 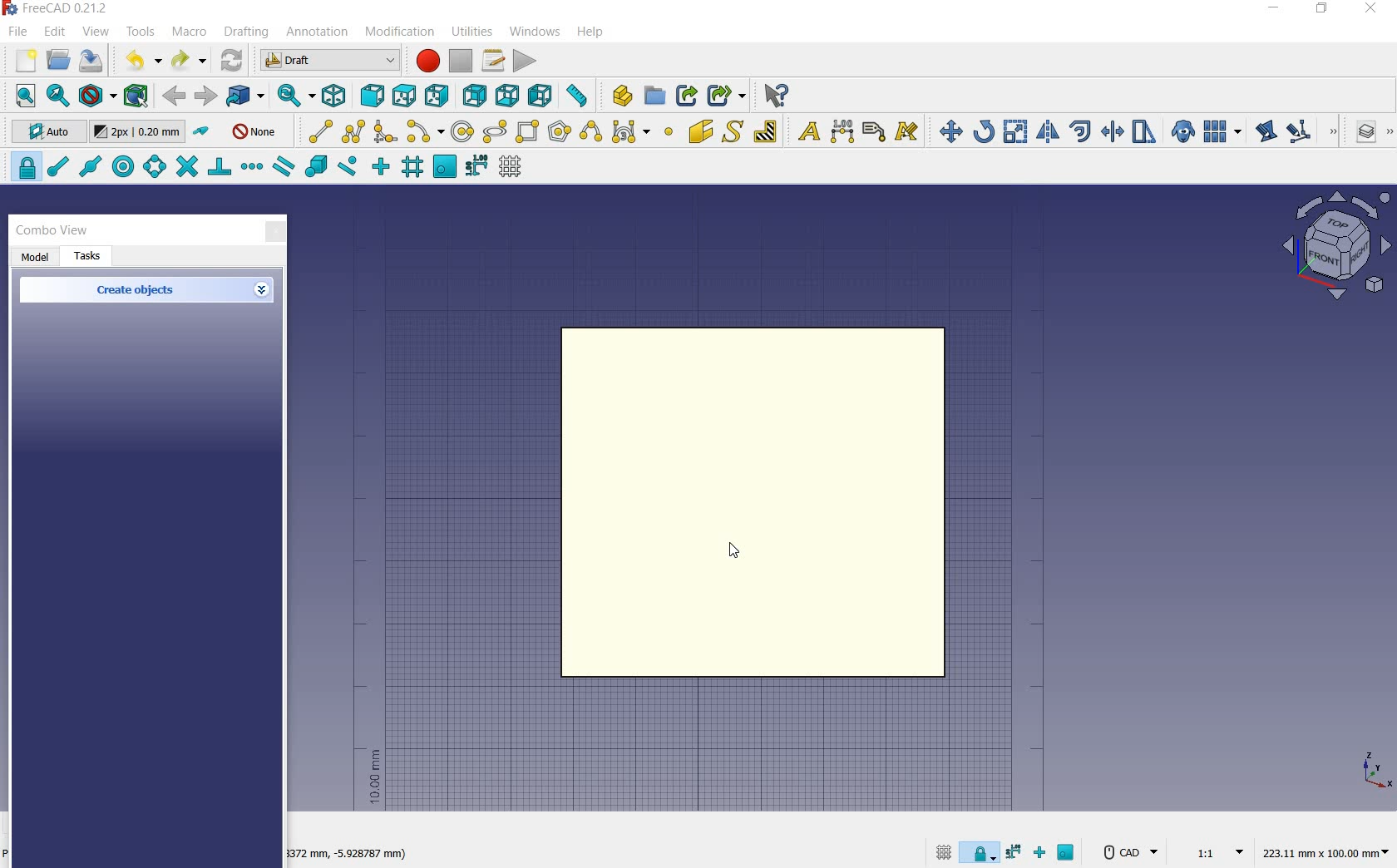 What do you see at coordinates (175, 96) in the screenshot?
I see `back` at bounding box center [175, 96].